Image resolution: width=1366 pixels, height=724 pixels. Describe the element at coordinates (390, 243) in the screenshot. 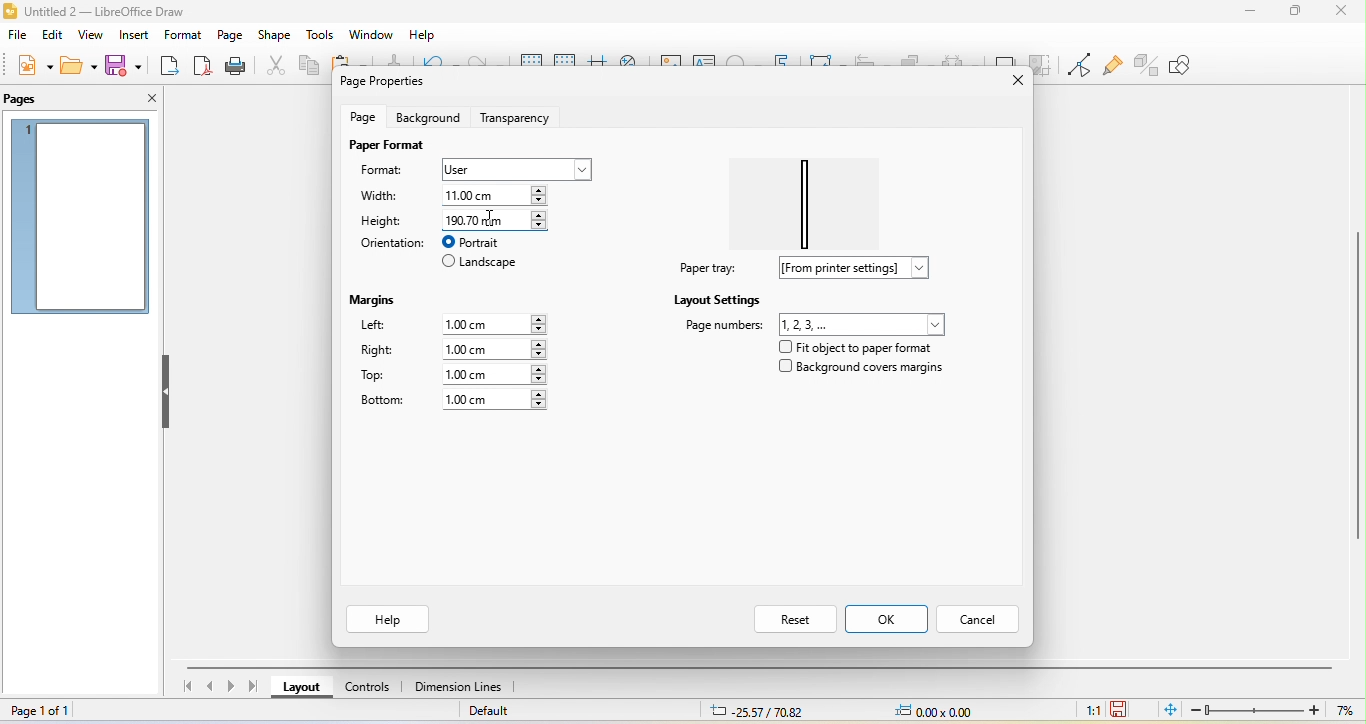

I see `orientation` at that location.